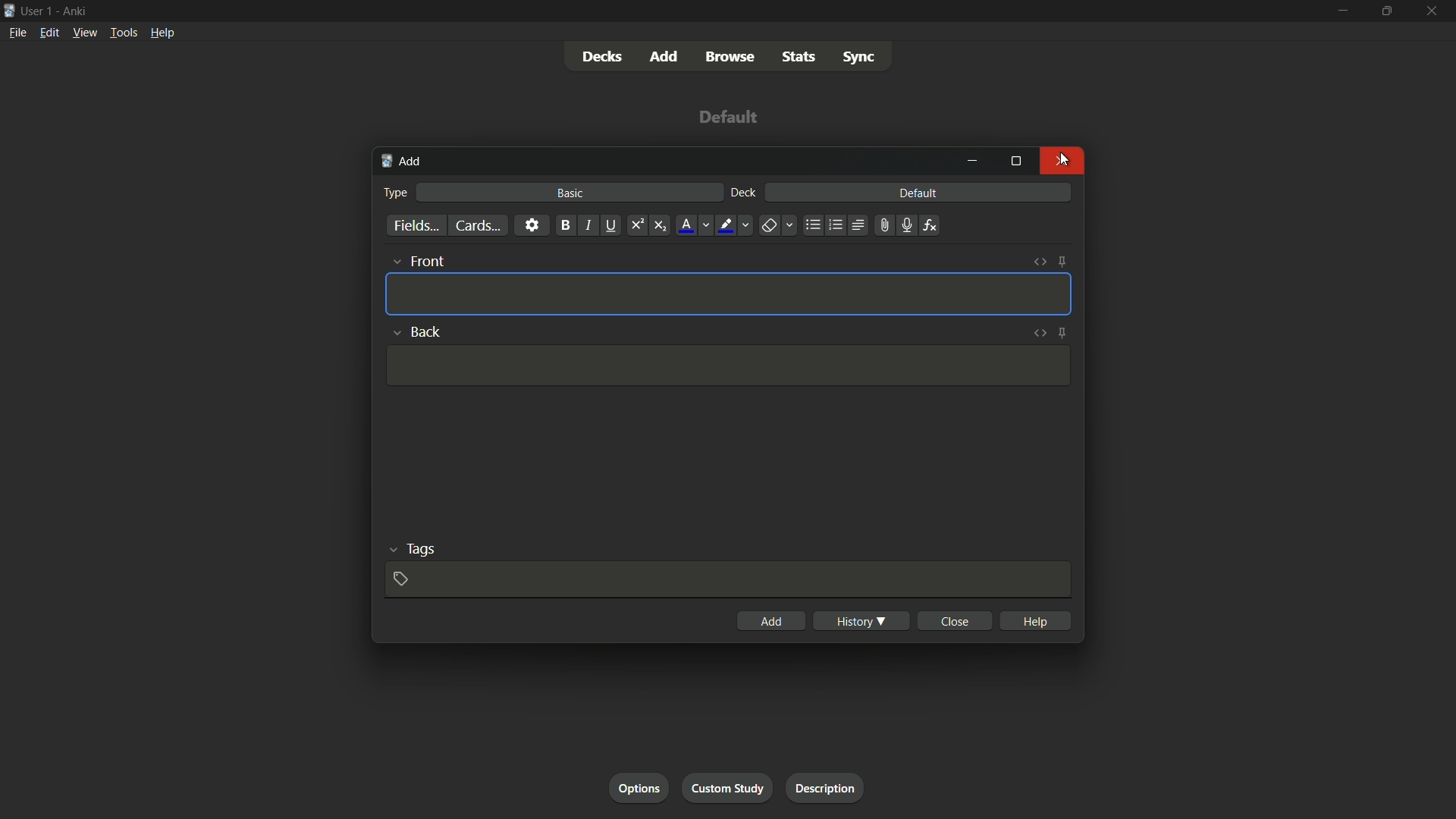 The height and width of the screenshot is (819, 1456). I want to click on front, so click(416, 259).